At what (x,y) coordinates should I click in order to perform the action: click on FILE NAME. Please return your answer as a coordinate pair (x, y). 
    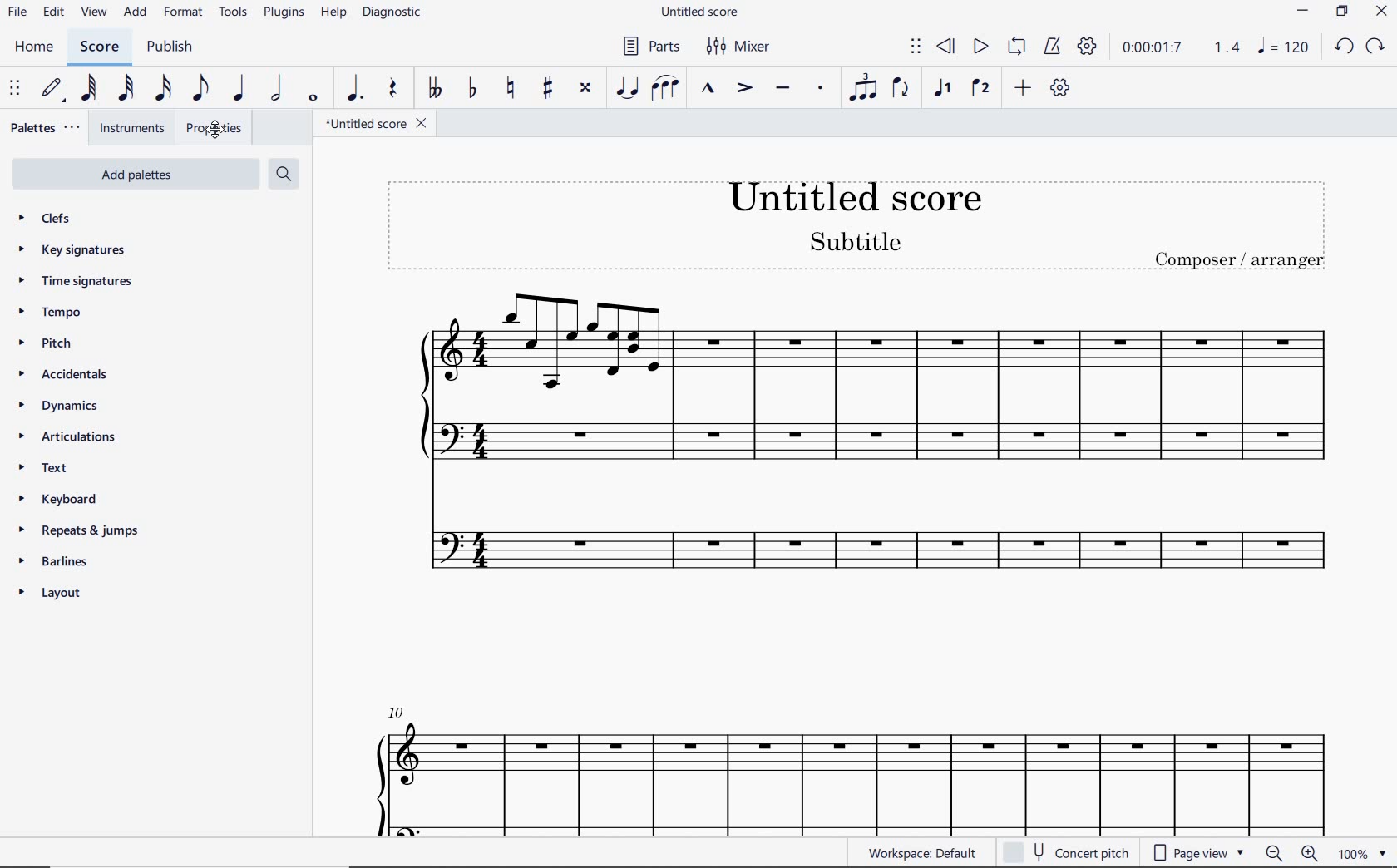
    Looking at the image, I should click on (377, 124).